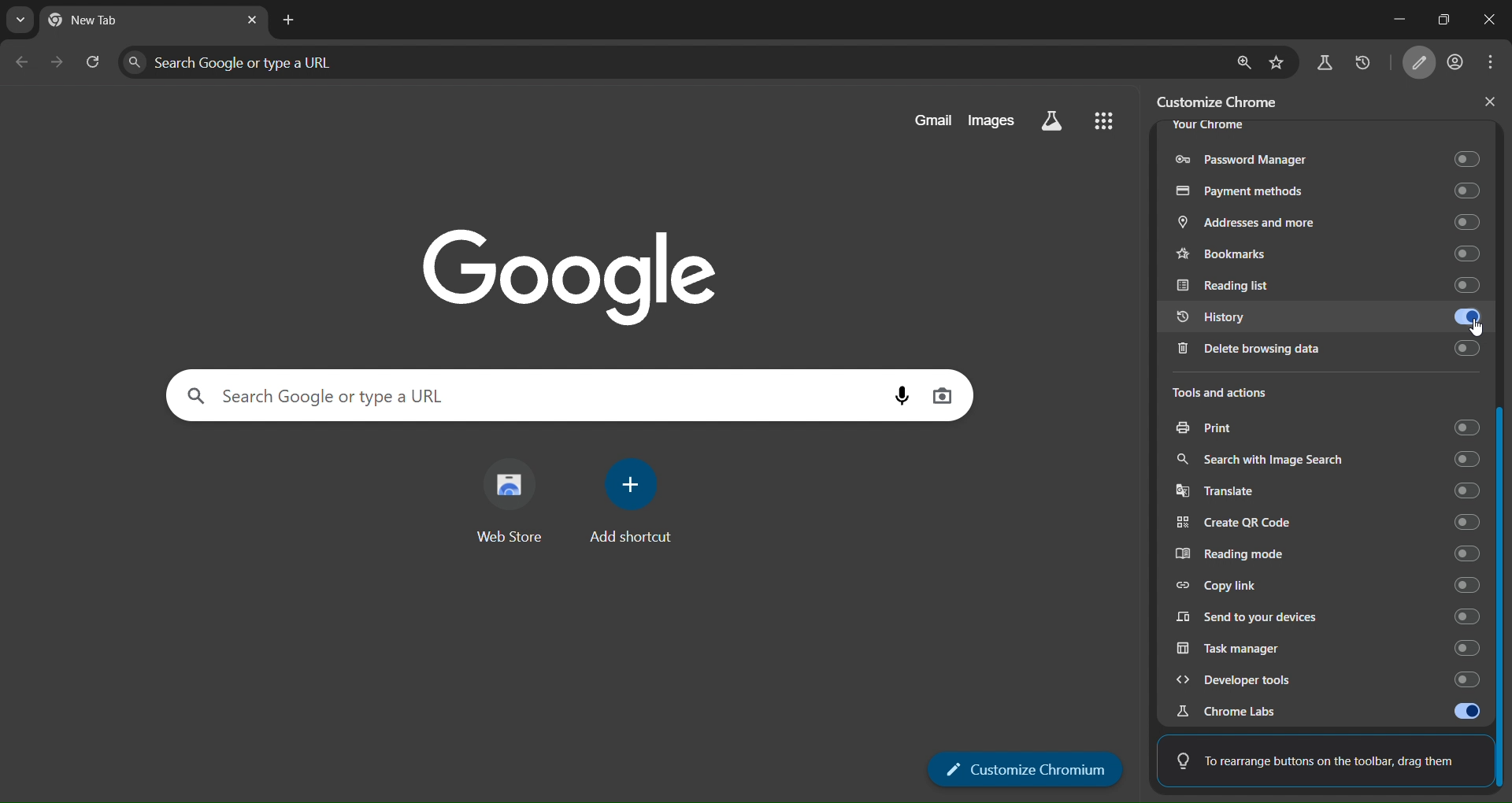 The height and width of the screenshot is (803, 1512). What do you see at coordinates (528, 394) in the screenshot?
I see `Search google or type a URL` at bounding box center [528, 394].